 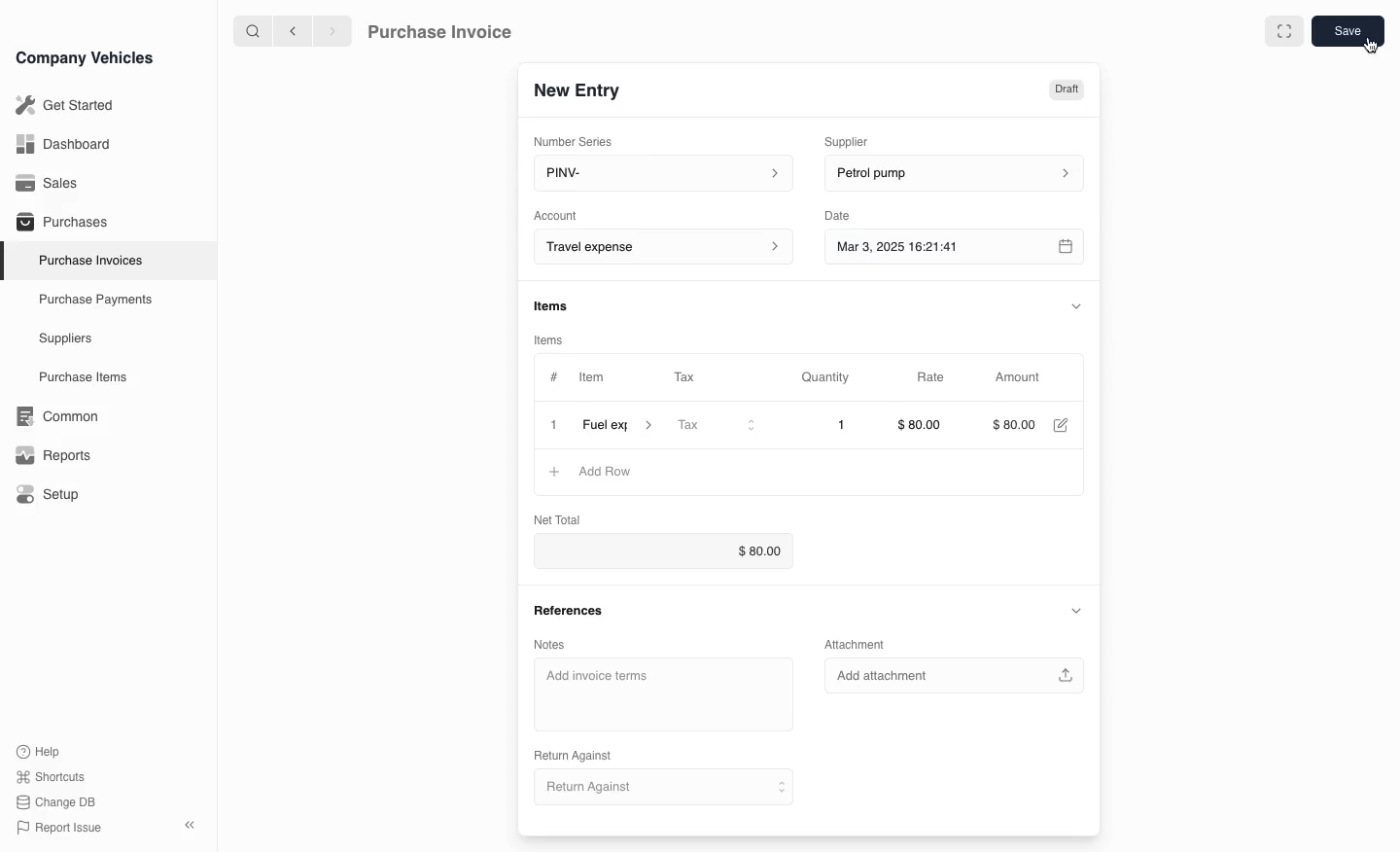 What do you see at coordinates (838, 216) in the screenshot?
I see `Date` at bounding box center [838, 216].